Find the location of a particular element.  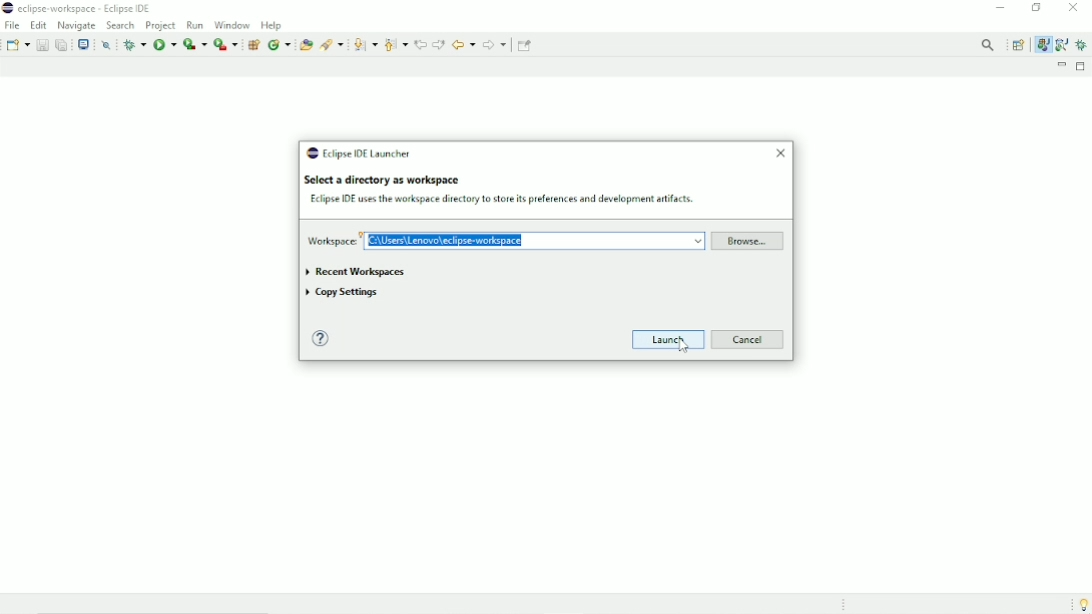

Java is located at coordinates (1042, 44).